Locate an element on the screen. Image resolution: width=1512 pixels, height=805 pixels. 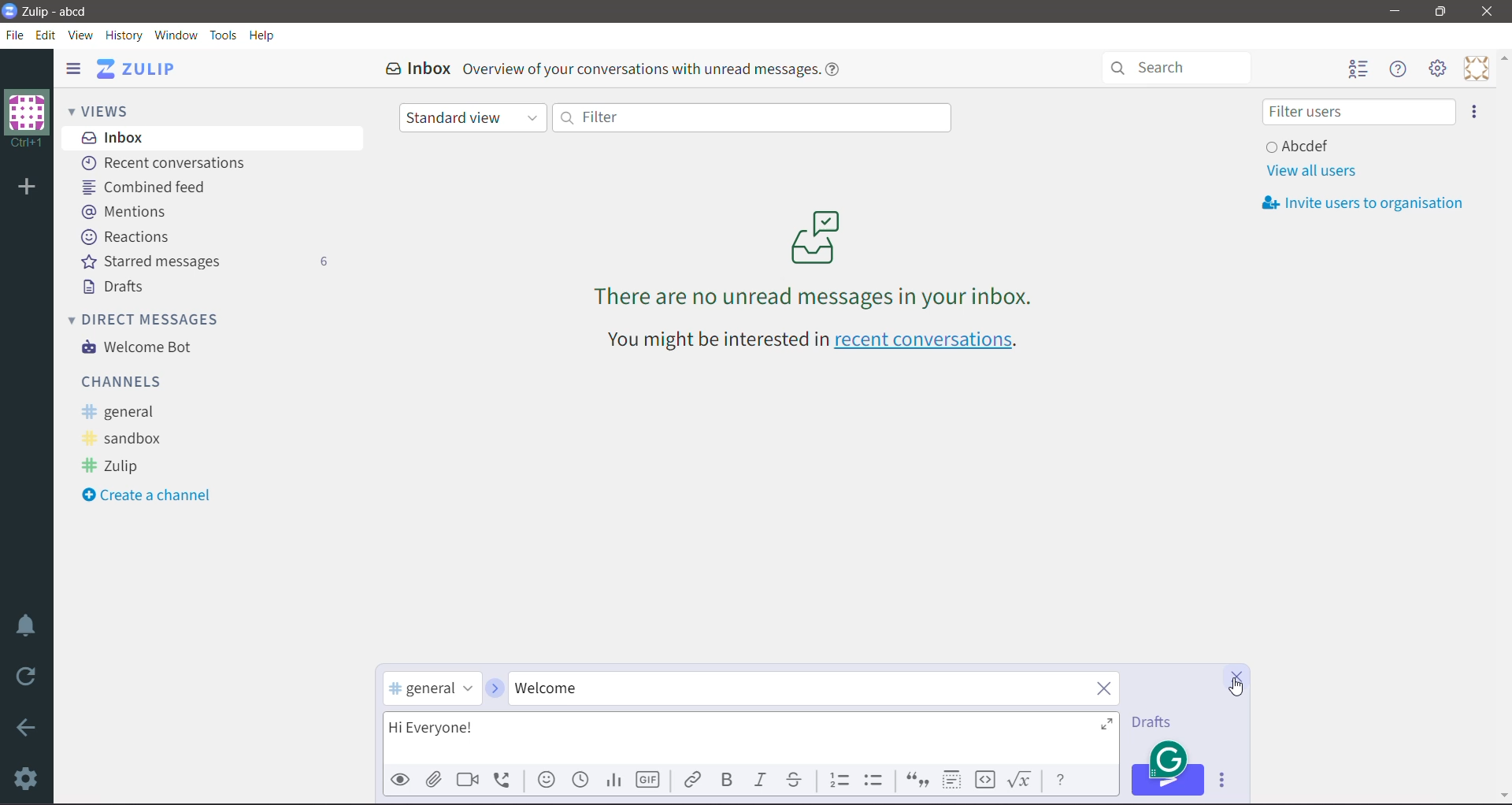
Hide Menu is located at coordinates (1399, 69).